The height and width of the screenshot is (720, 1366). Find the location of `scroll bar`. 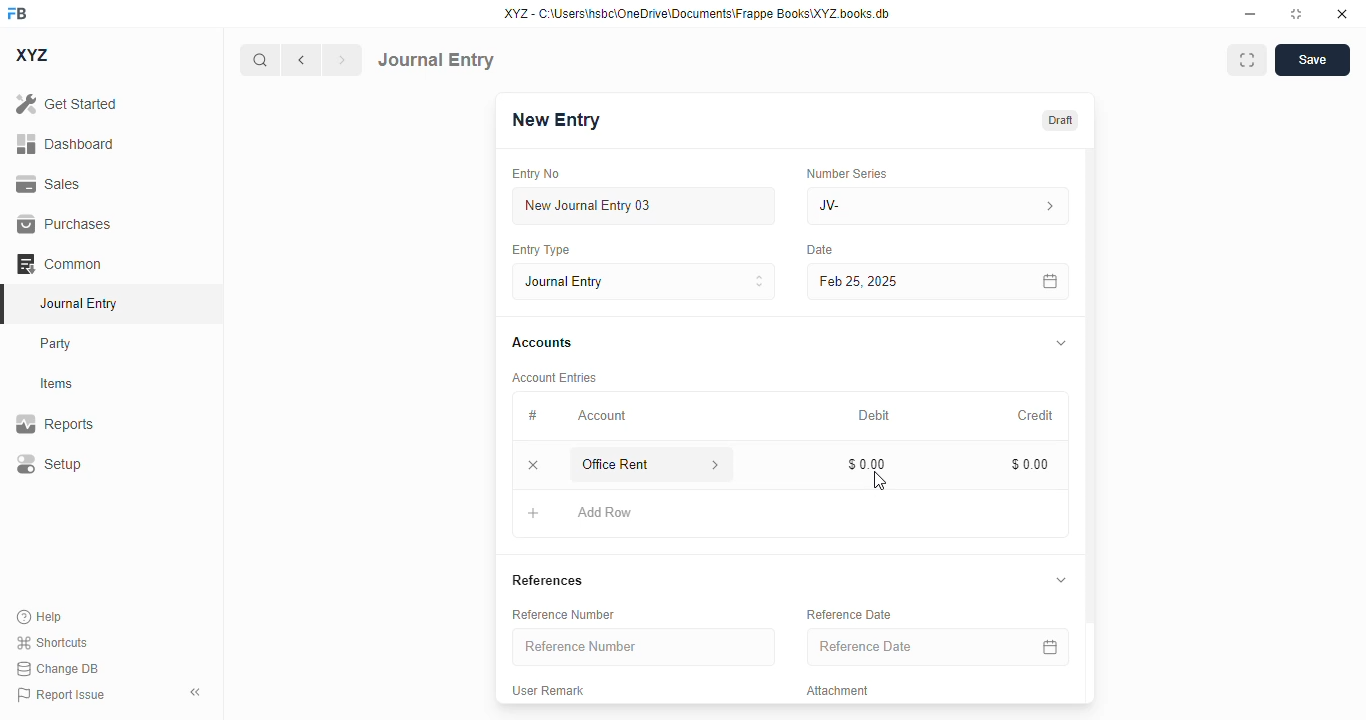

scroll bar is located at coordinates (1091, 424).